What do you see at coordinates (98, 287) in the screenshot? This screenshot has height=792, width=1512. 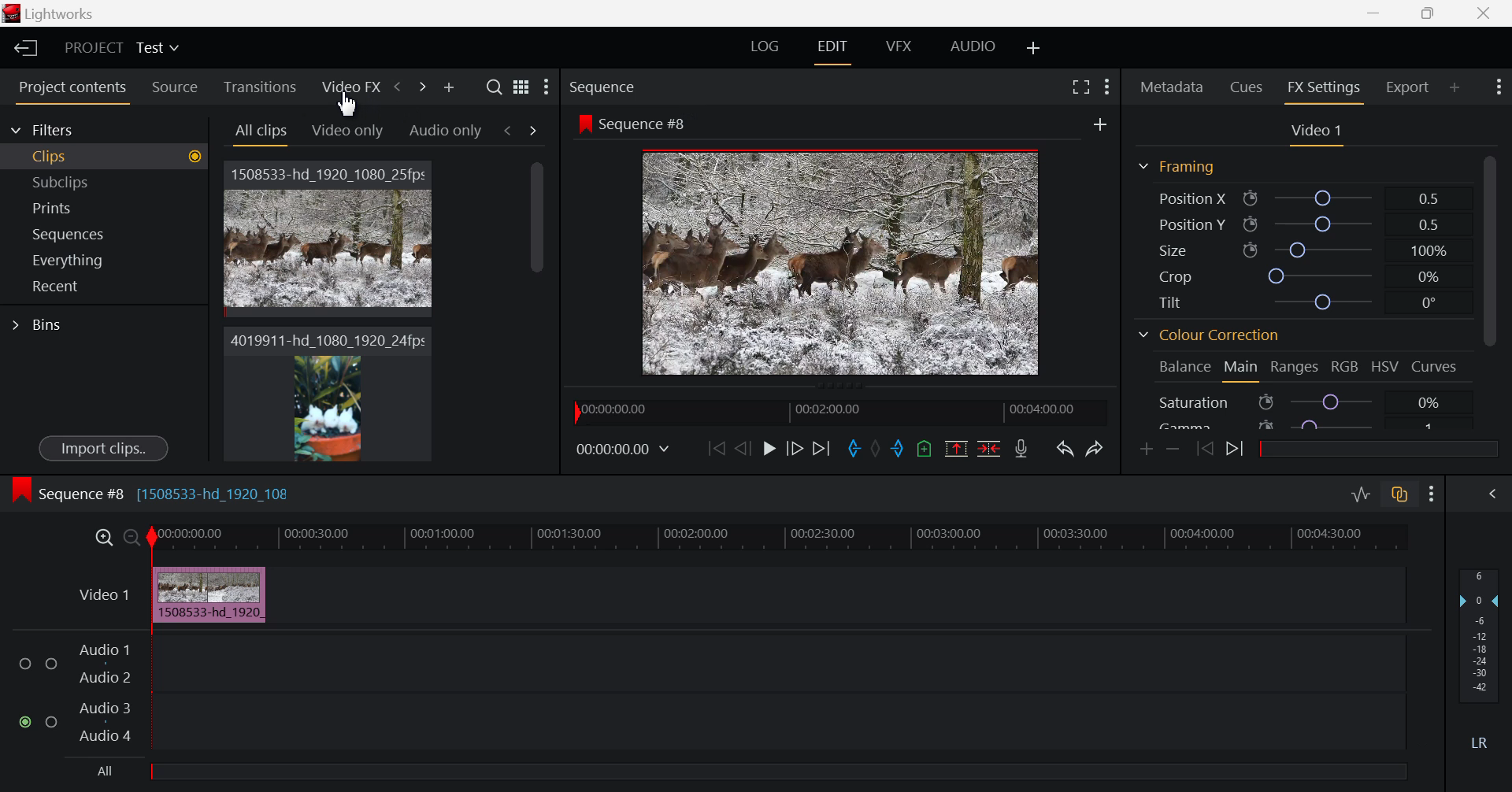 I see `Recent` at bounding box center [98, 287].